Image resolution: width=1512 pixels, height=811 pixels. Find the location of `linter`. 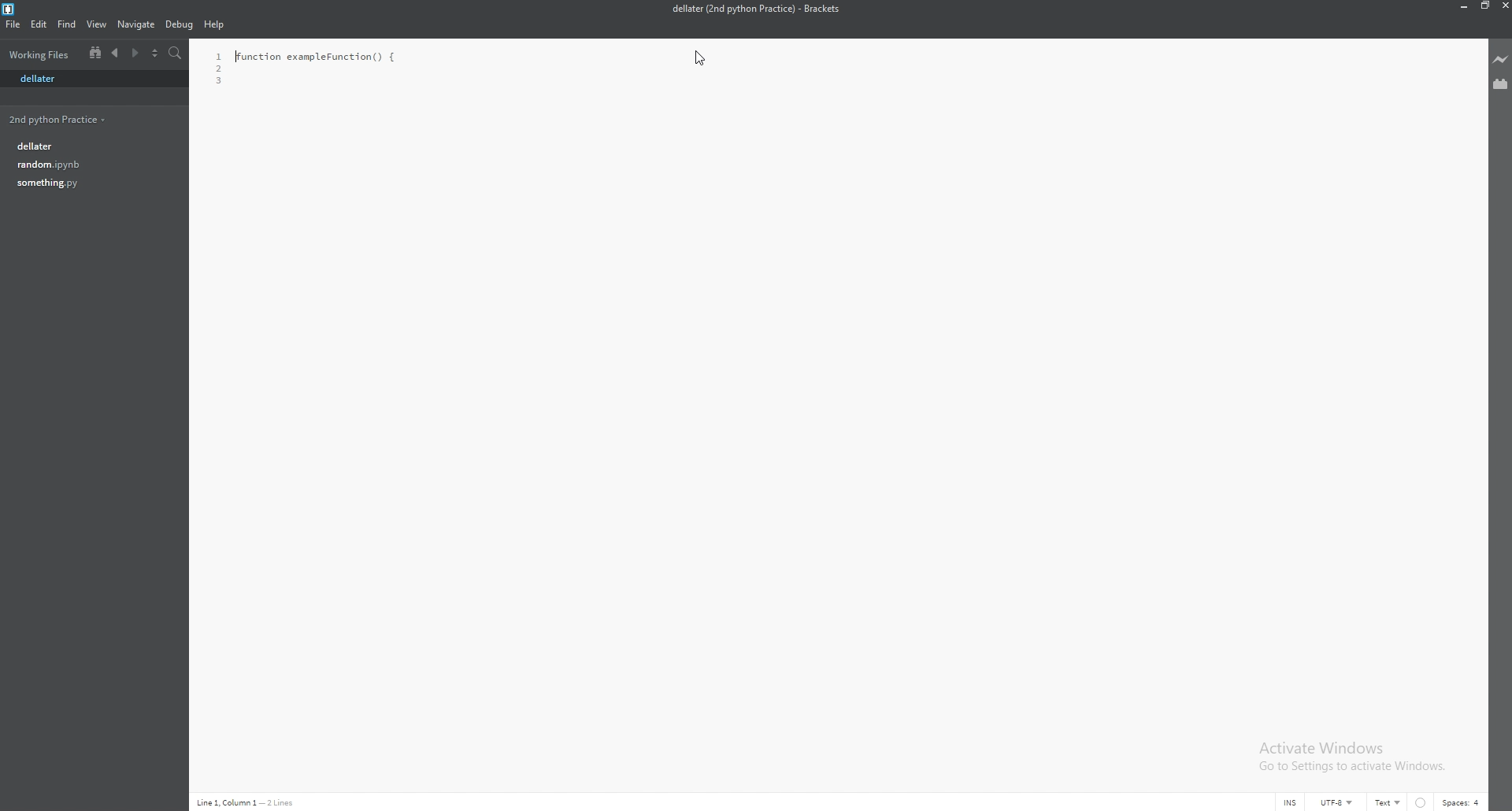

linter is located at coordinates (1421, 802).